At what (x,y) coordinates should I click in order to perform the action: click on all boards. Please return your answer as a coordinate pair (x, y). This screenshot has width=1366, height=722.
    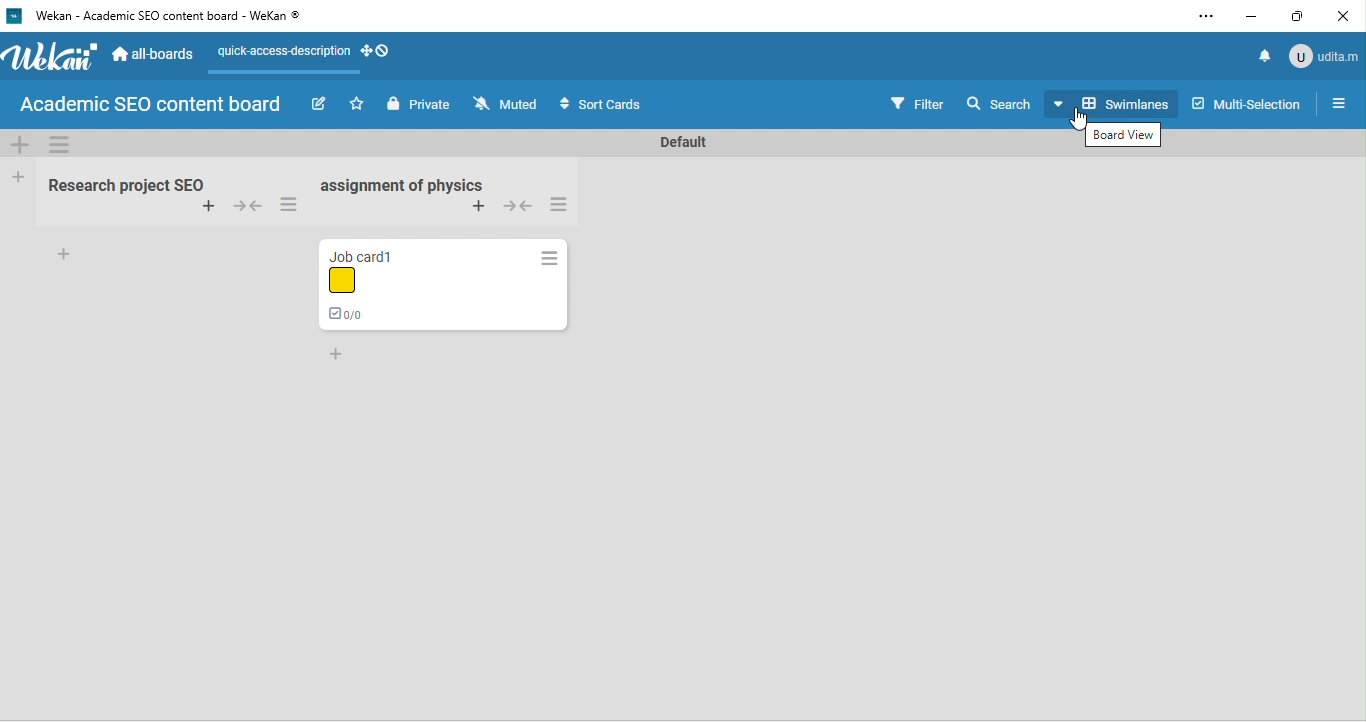
    Looking at the image, I should click on (152, 54).